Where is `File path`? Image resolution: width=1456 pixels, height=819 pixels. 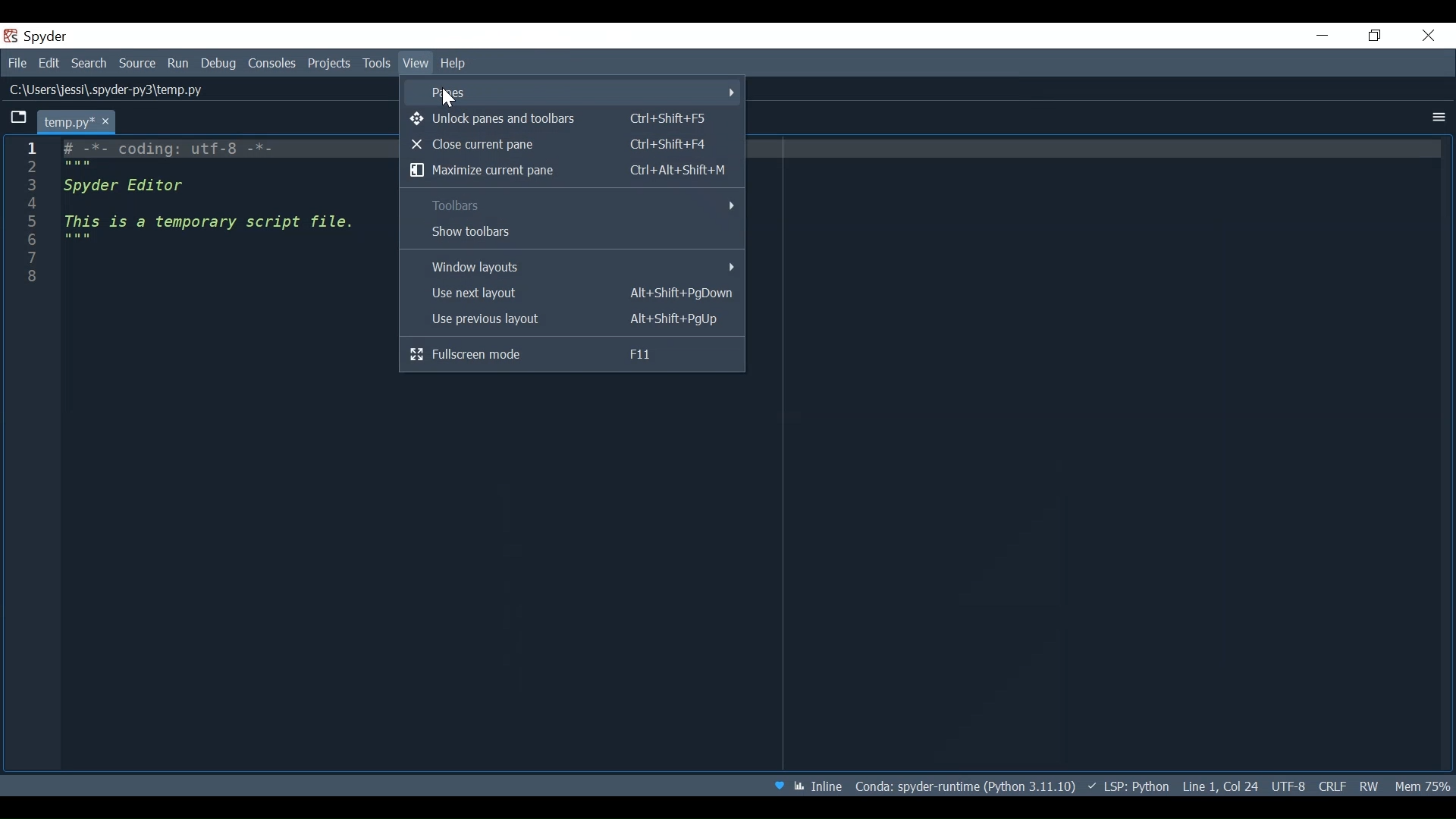 File path is located at coordinates (967, 785).